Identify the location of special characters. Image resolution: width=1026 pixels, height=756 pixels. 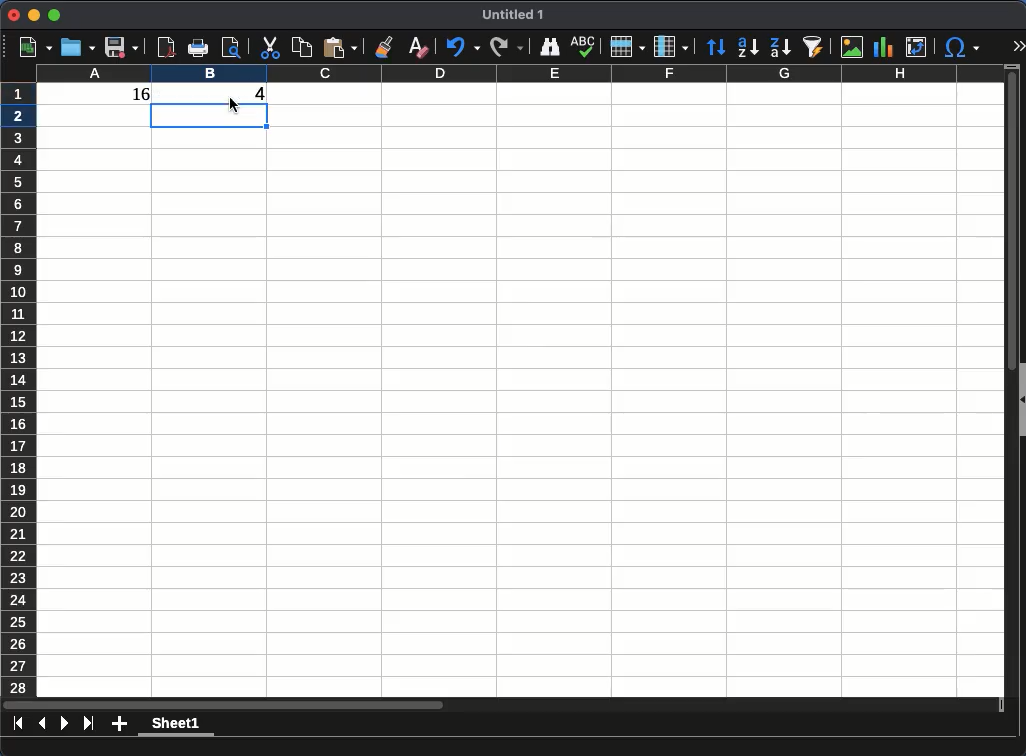
(961, 48).